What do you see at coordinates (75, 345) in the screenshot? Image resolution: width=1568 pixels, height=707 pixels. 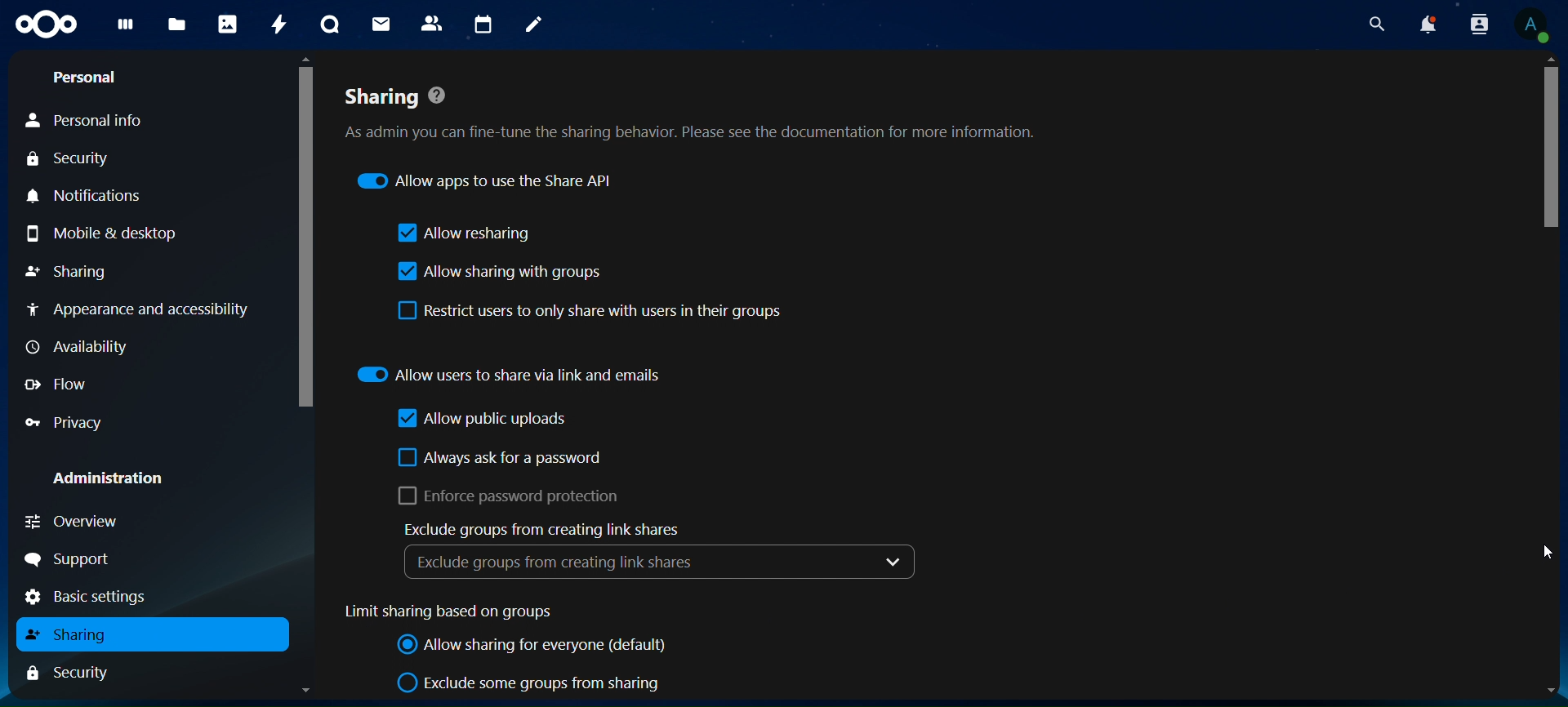 I see `availability` at bounding box center [75, 345].